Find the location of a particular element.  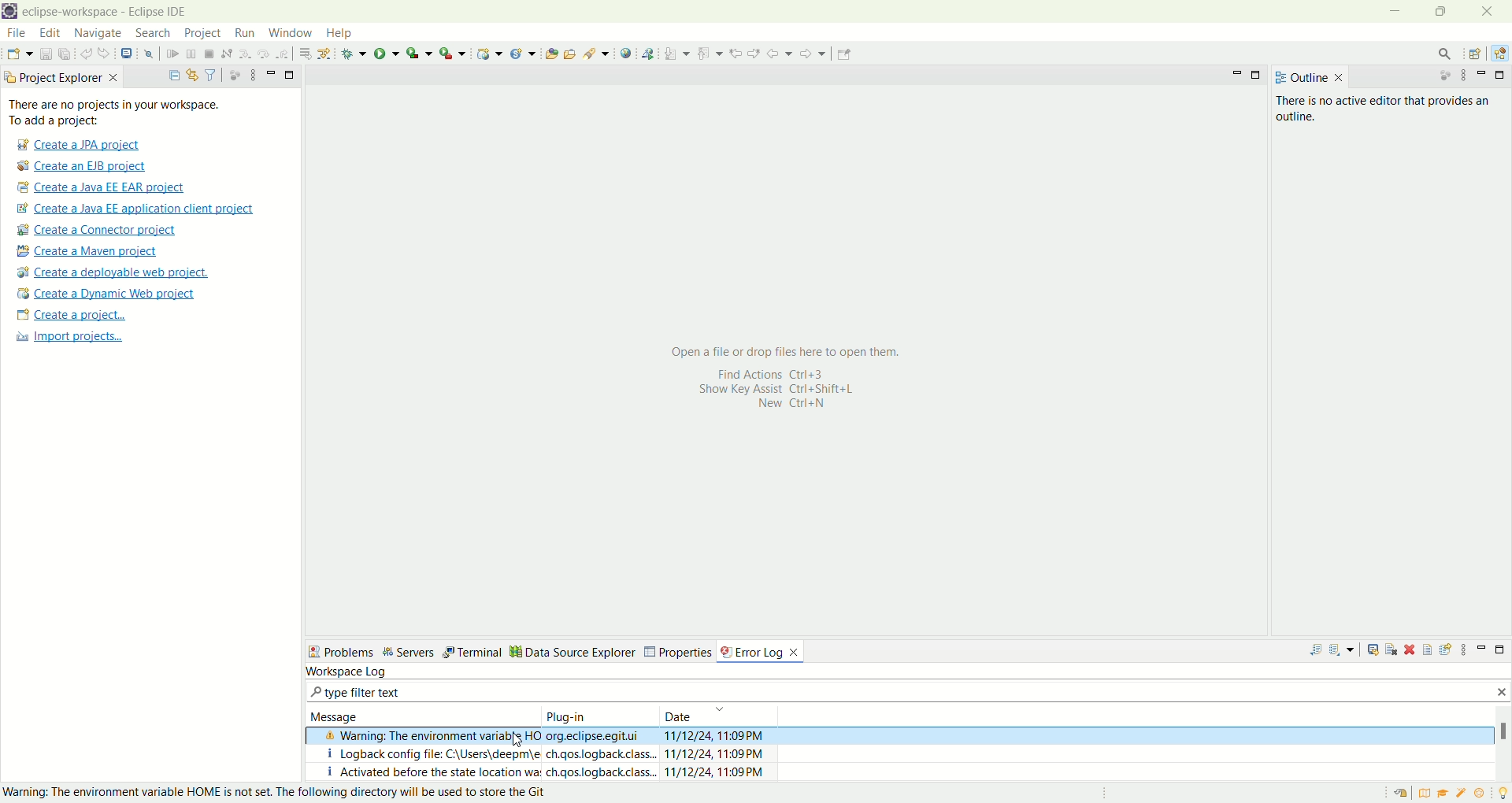

message is located at coordinates (420, 712).